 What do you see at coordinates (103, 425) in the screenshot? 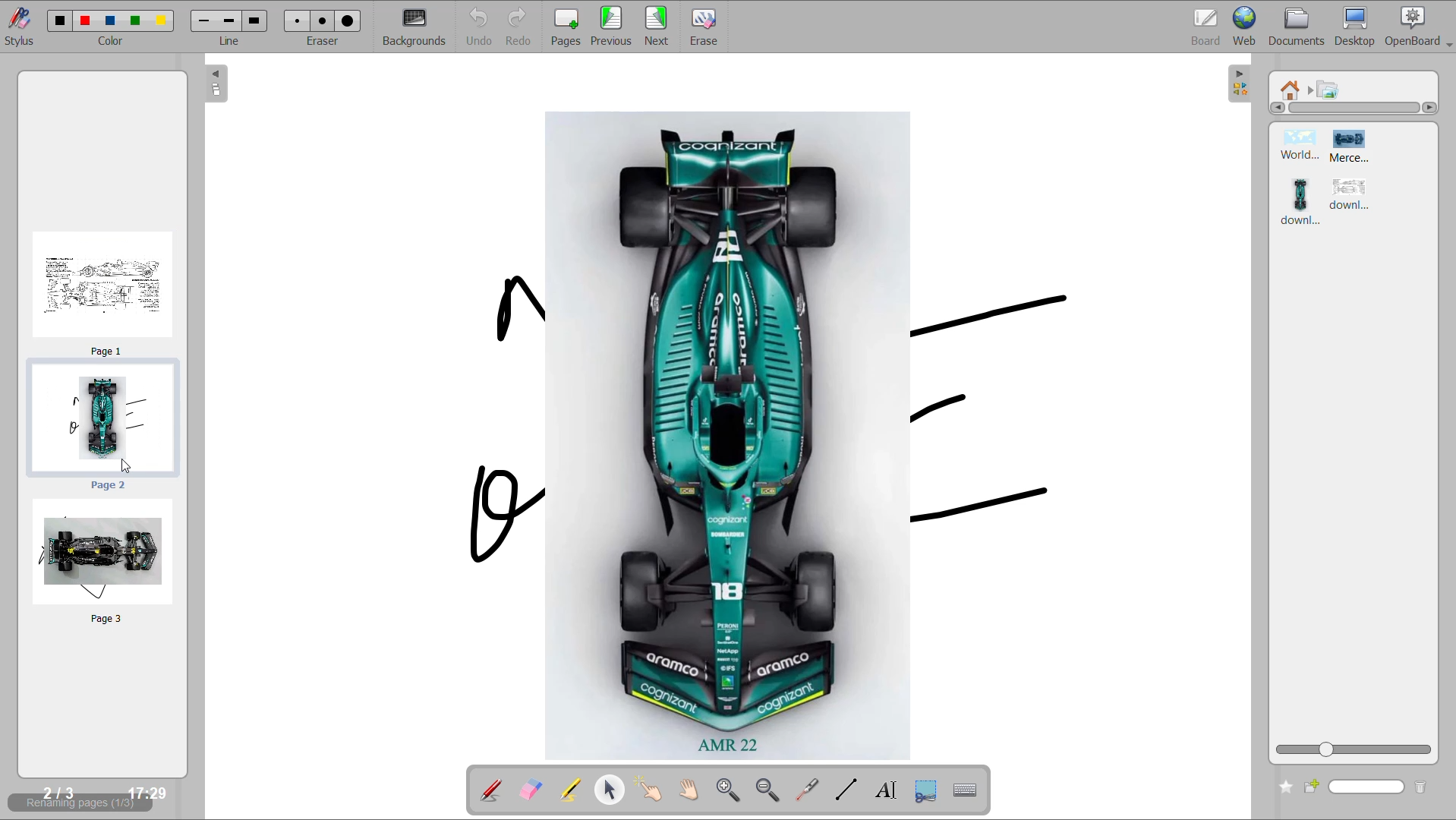
I see `rearranged page 2` at bounding box center [103, 425].